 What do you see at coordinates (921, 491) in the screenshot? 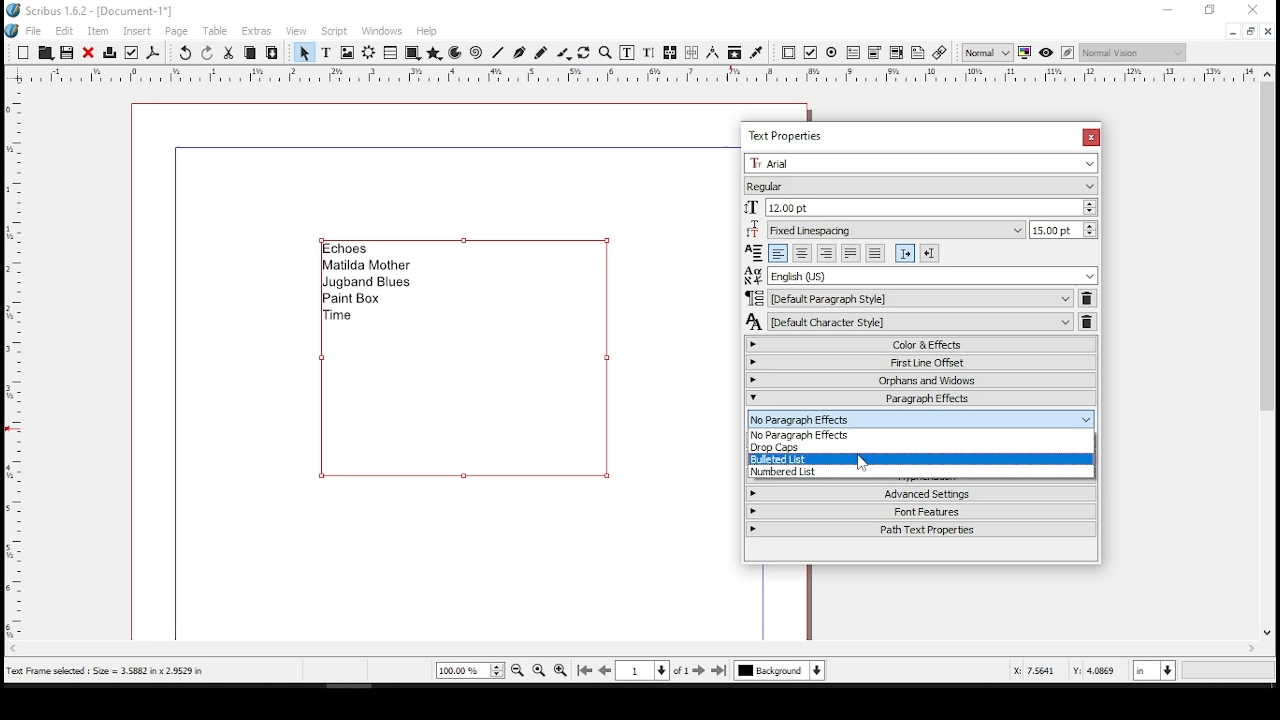
I see `advanced settings` at bounding box center [921, 491].